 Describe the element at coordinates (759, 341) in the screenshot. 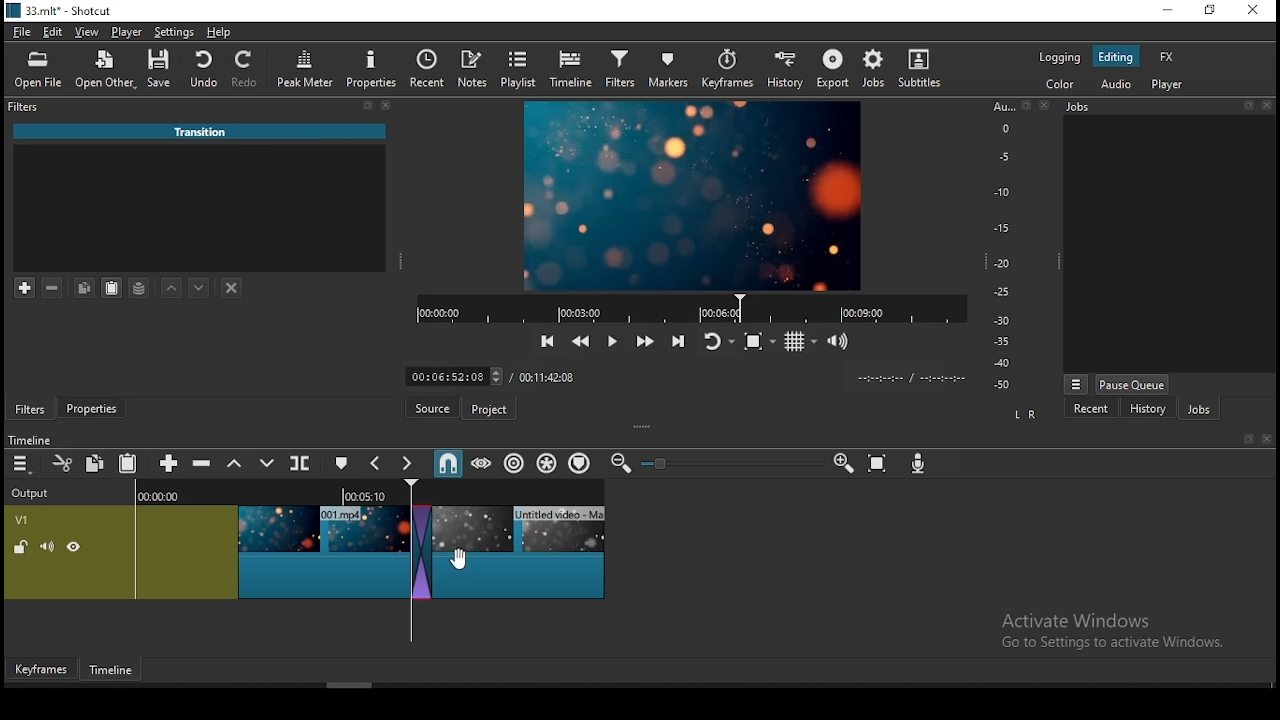

I see `toggle zoom` at that location.